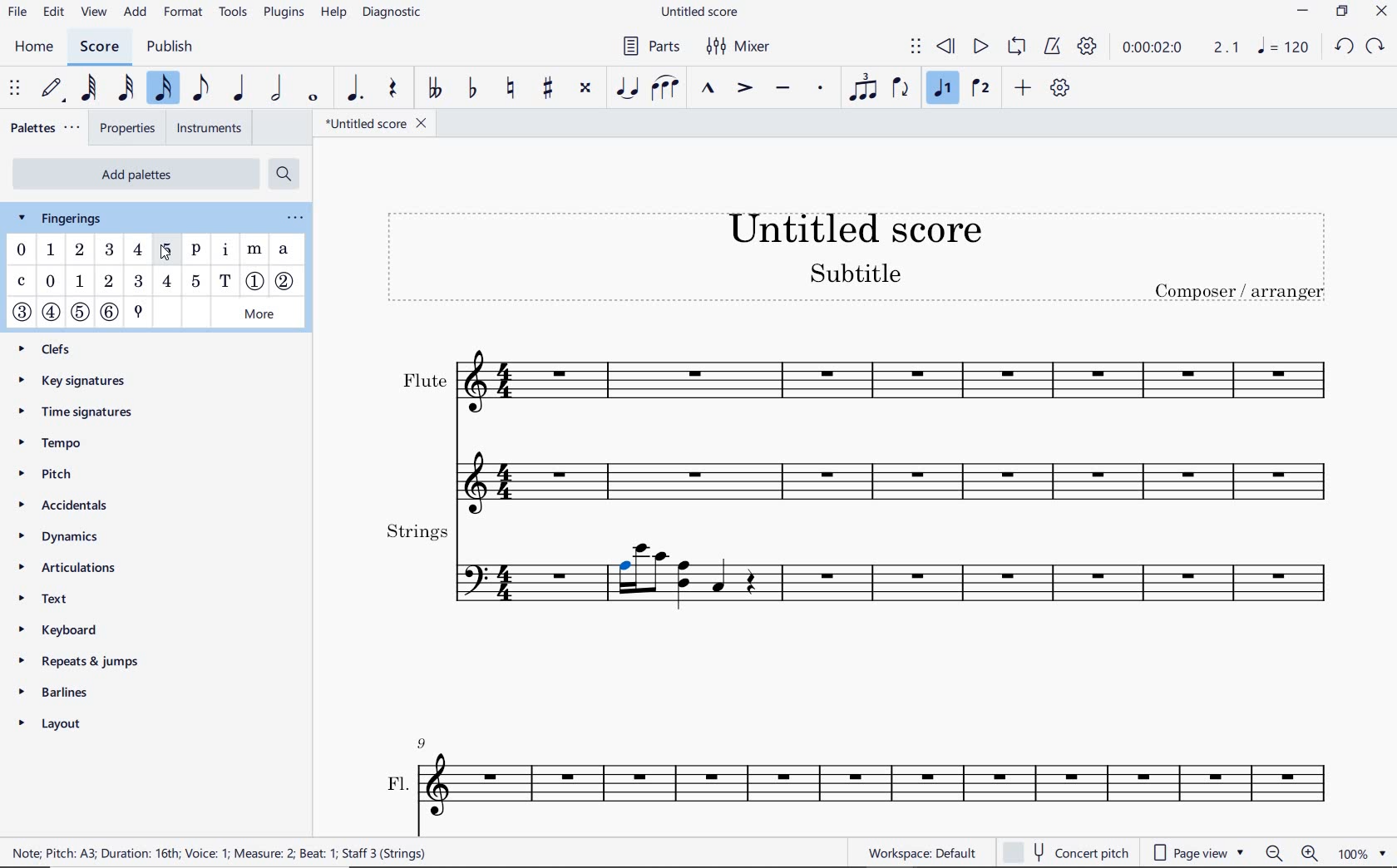  What do you see at coordinates (902, 89) in the screenshot?
I see `flip direction` at bounding box center [902, 89].